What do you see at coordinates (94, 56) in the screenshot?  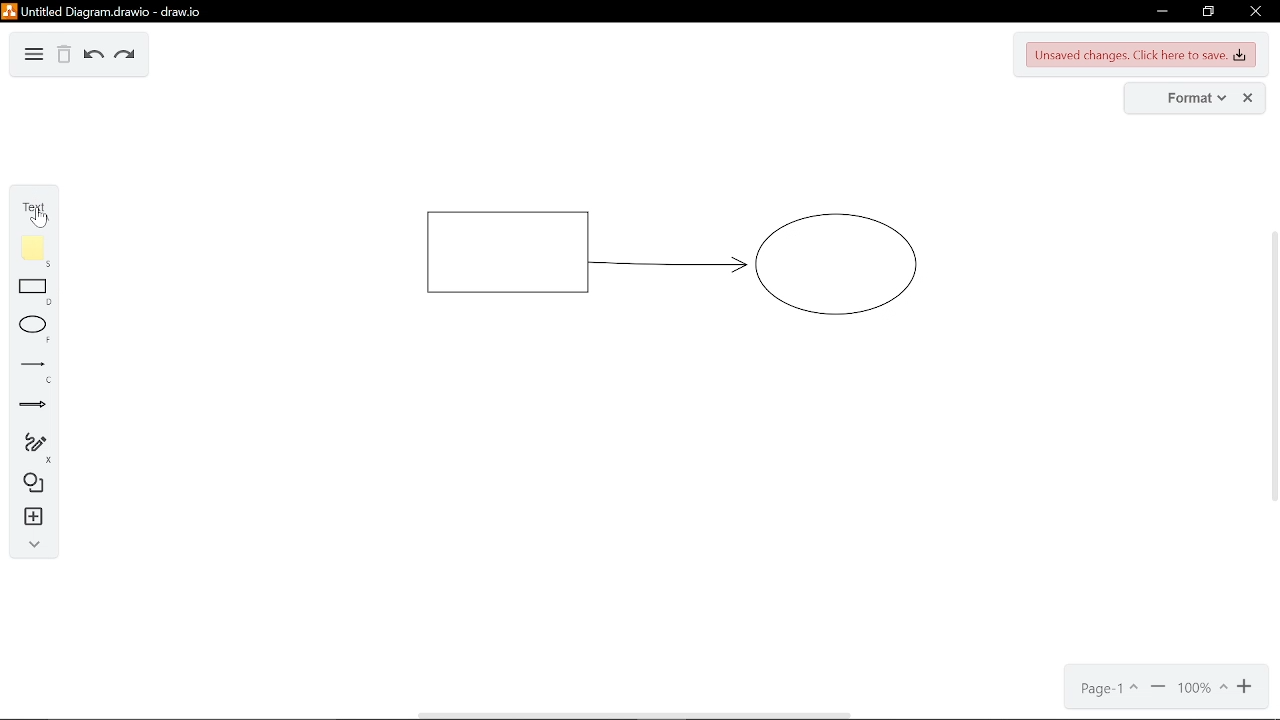 I see `undo` at bounding box center [94, 56].